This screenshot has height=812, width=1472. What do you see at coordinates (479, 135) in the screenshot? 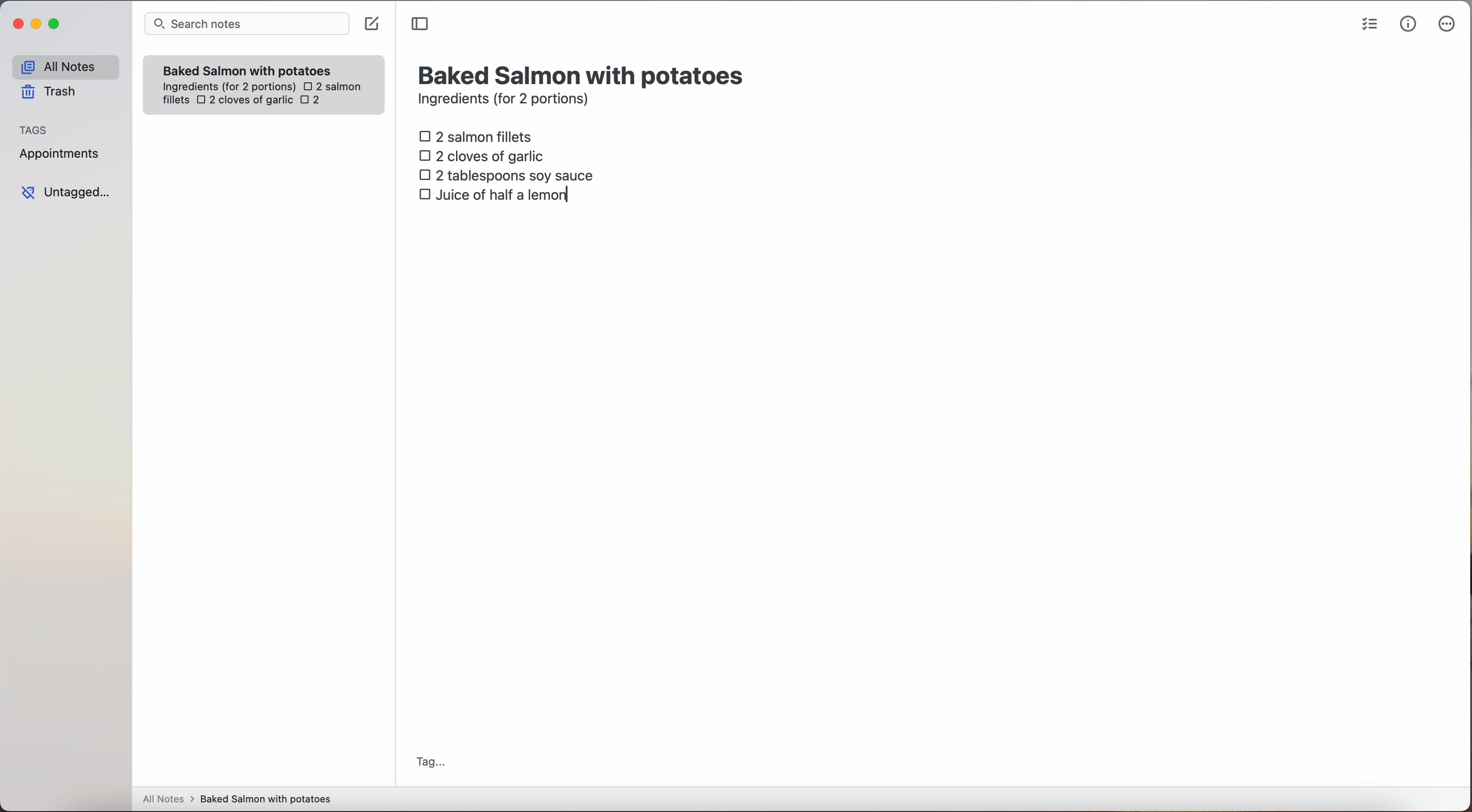
I see `2 salmon fillets` at bounding box center [479, 135].